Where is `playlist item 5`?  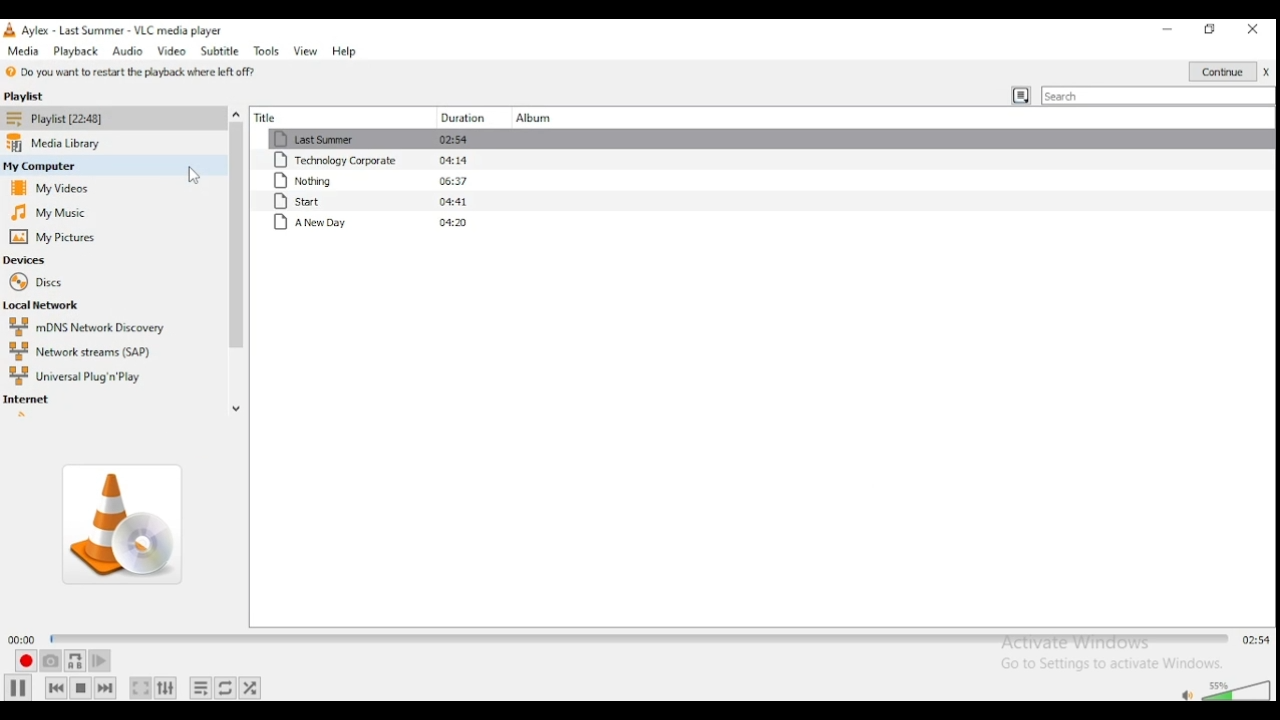 playlist item 5 is located at coordinates (375, 224).